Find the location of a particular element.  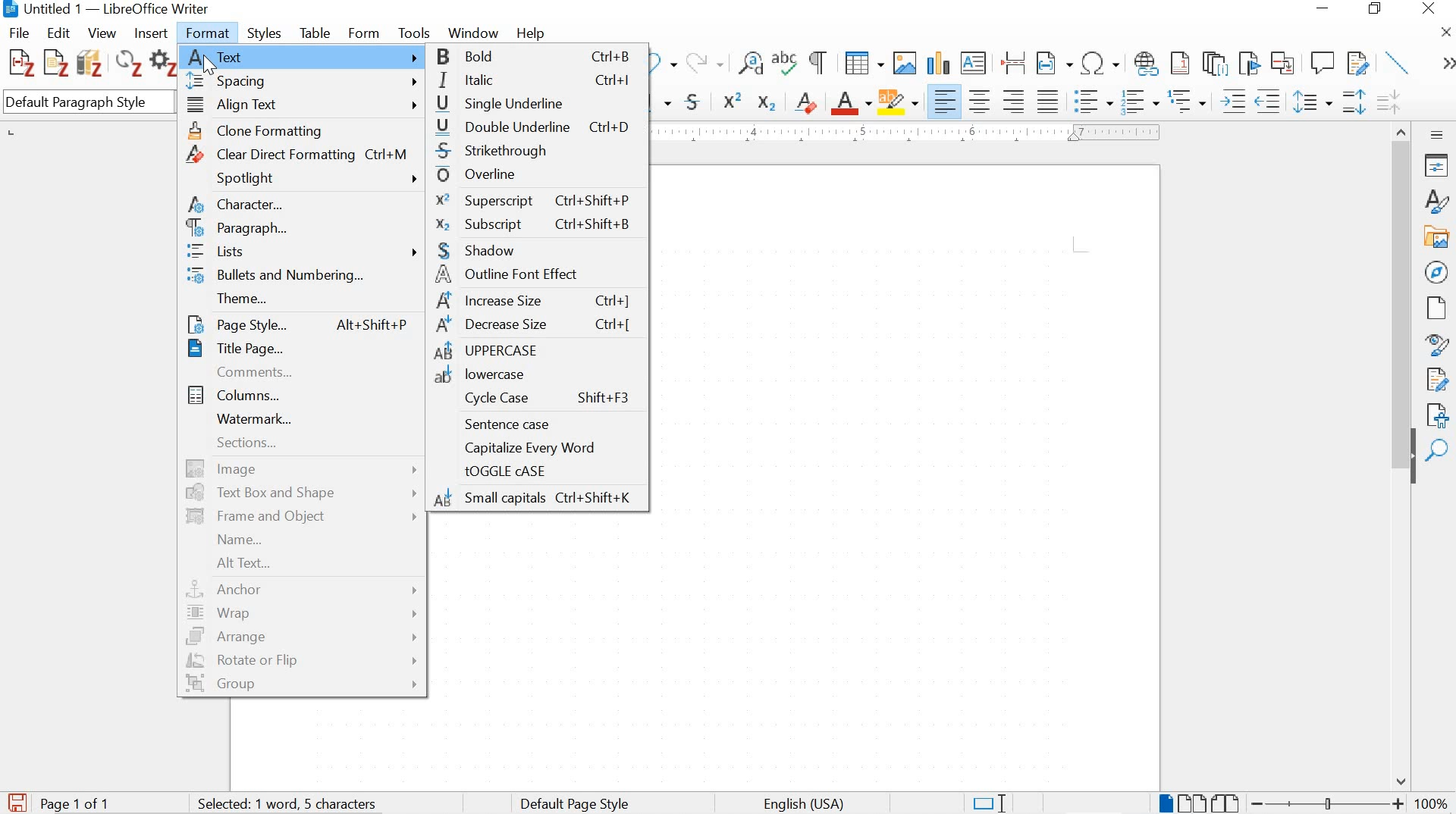

book view is located at coordinates (1227, 803).